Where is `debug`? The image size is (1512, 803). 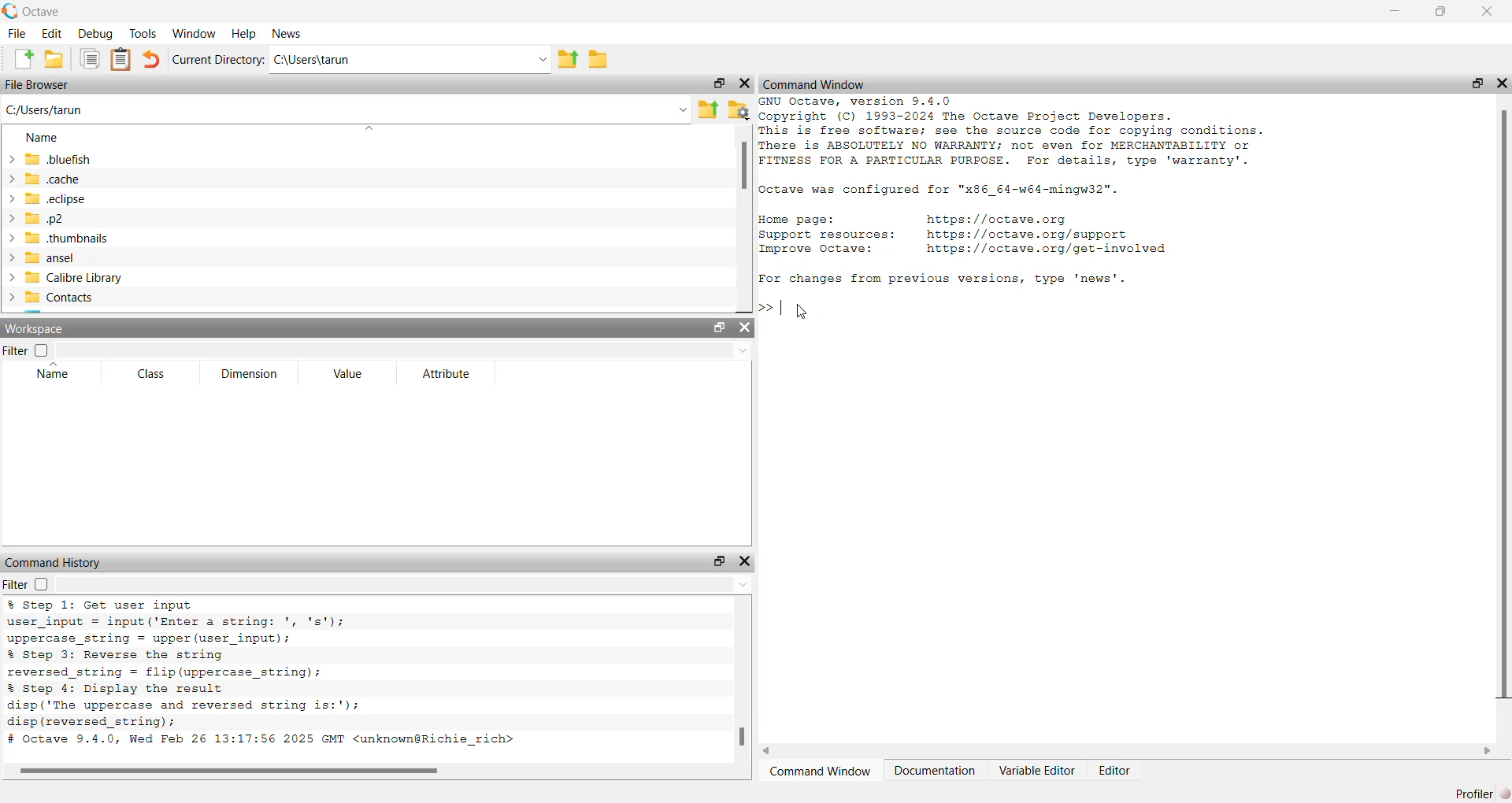
debug is located at coordinates (98, 33).